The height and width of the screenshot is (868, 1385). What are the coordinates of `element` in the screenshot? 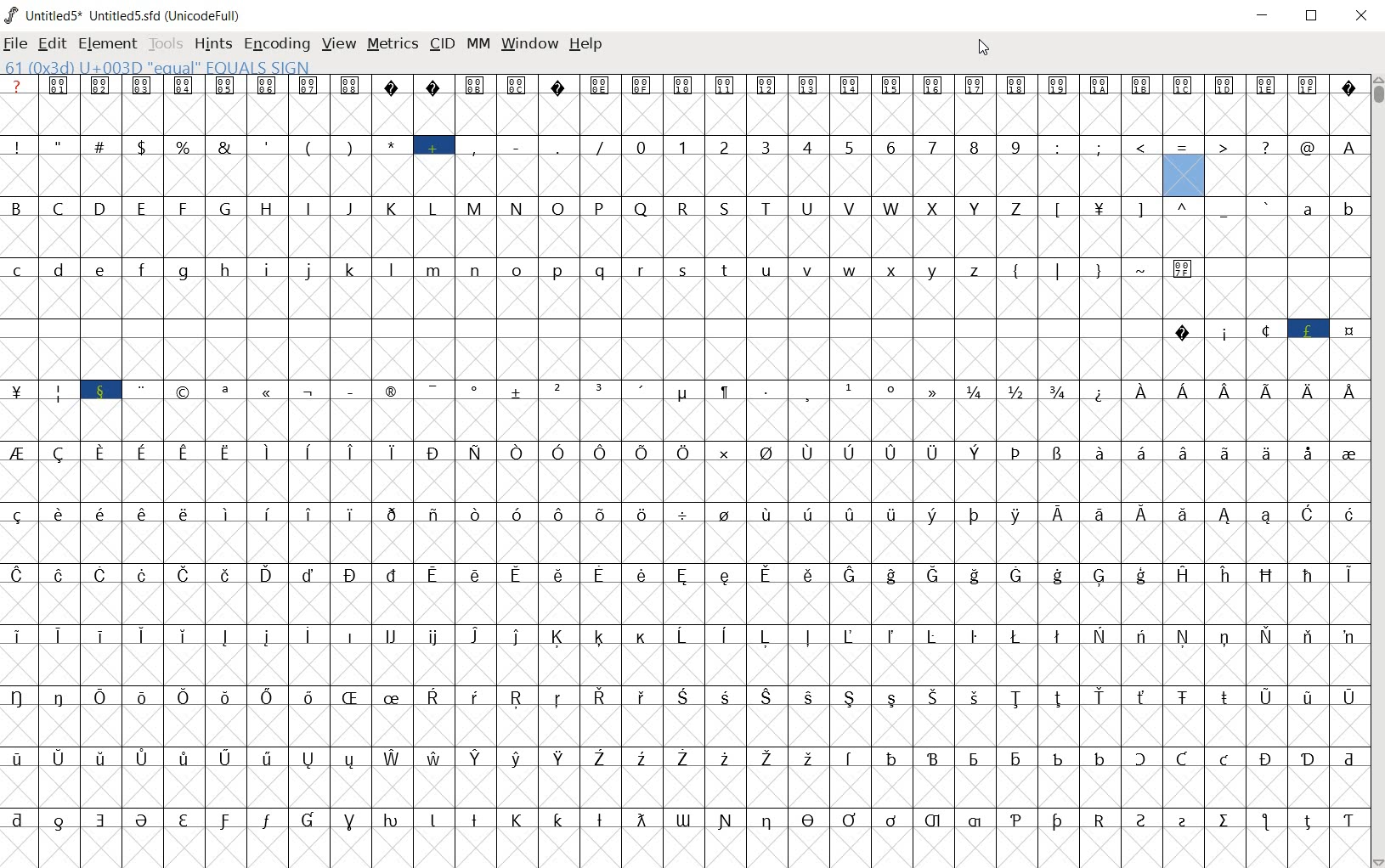 It's located at (105, 42).